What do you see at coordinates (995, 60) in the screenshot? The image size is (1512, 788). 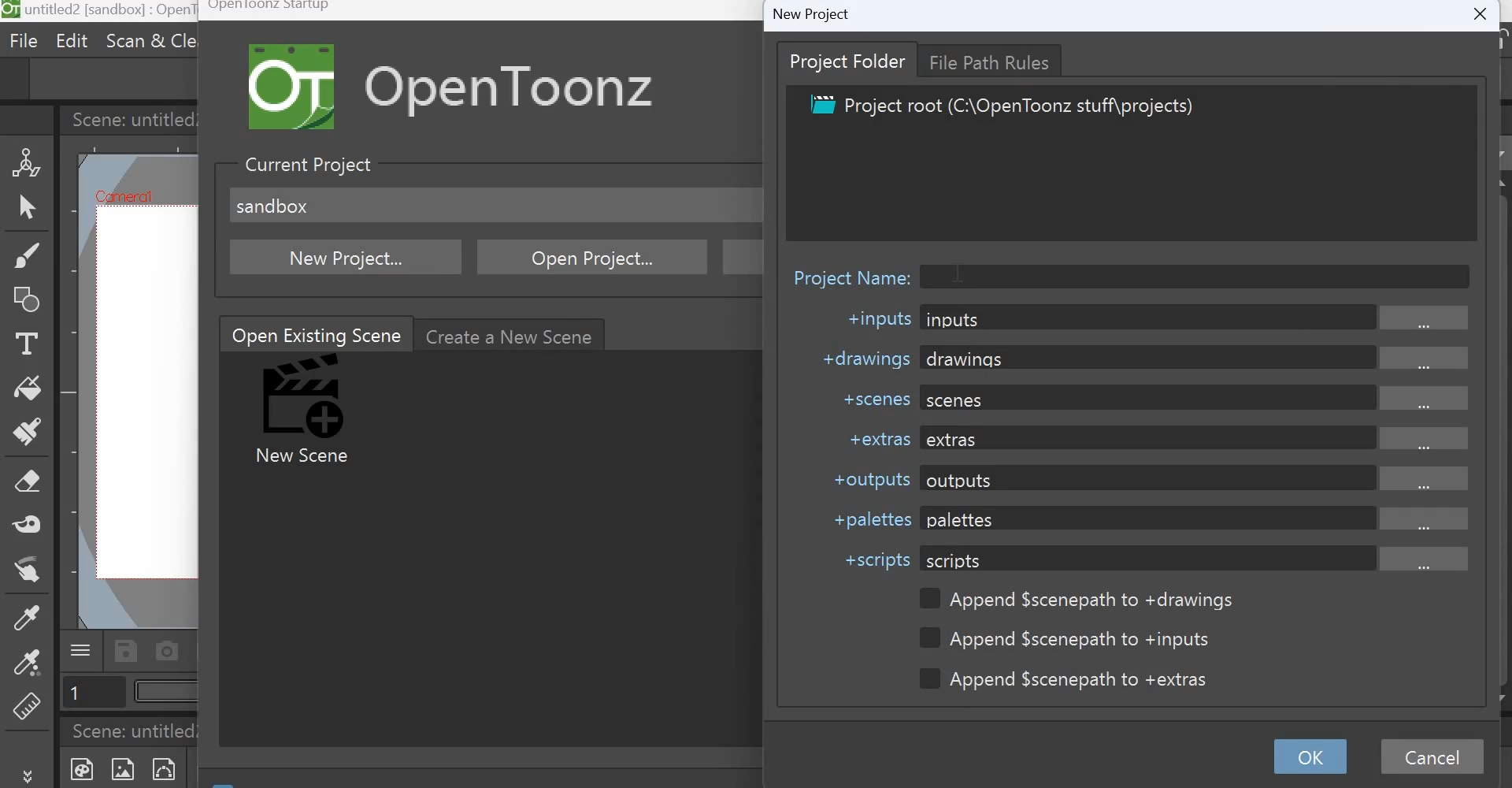 I see `File Path Rules` at bounding box center [995, 60].